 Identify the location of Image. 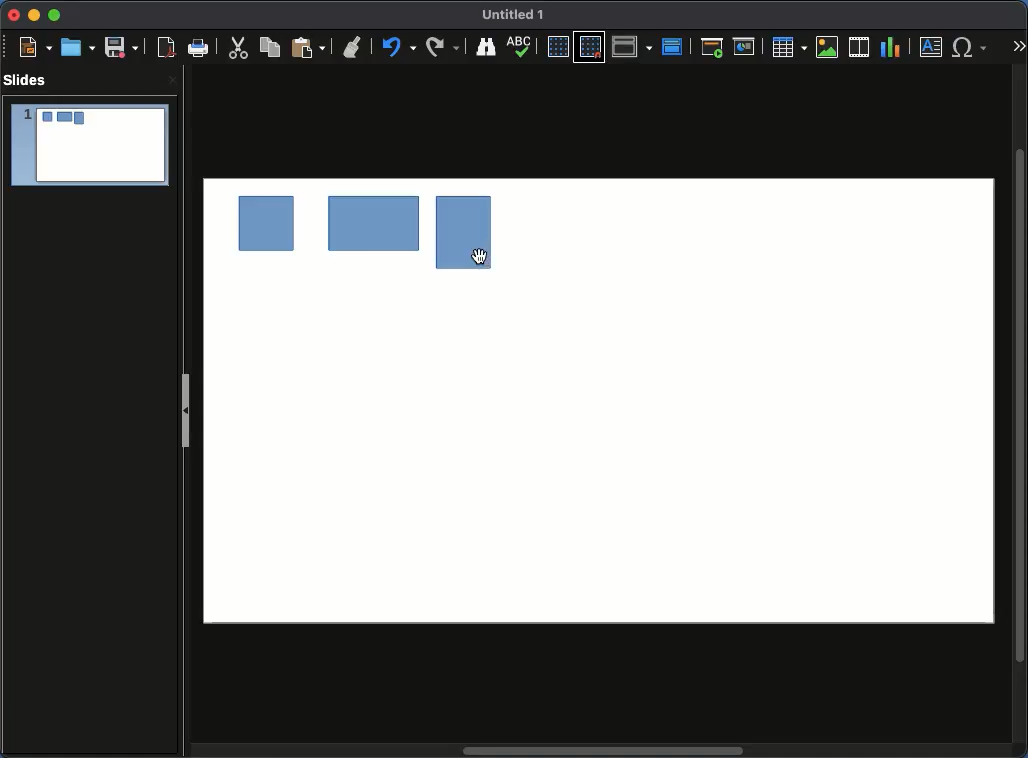
(829, 48).